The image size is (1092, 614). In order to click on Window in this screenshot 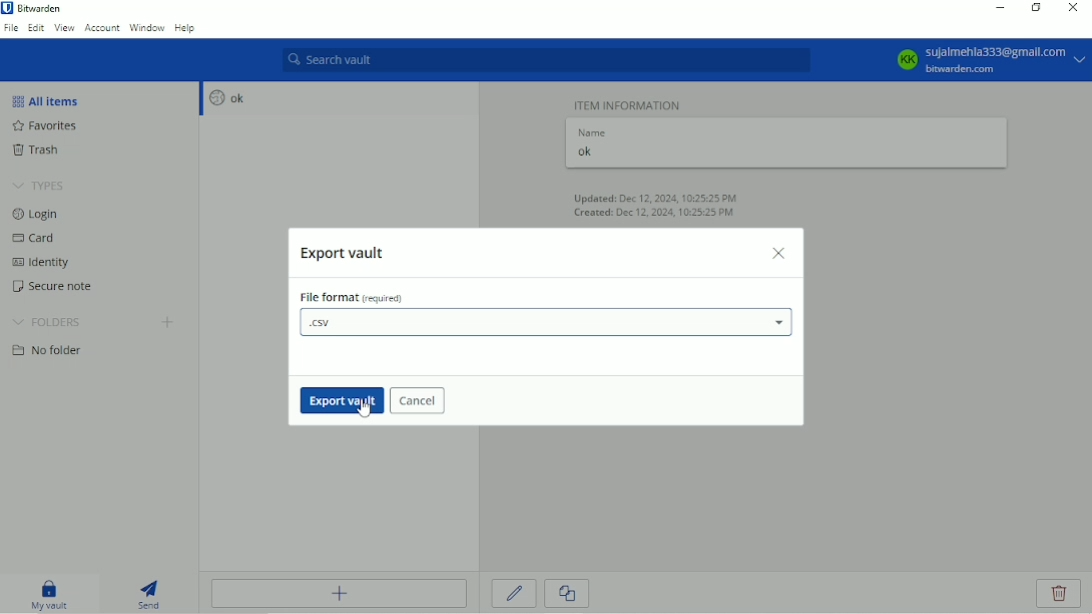, I will do `click(147, 27)`.